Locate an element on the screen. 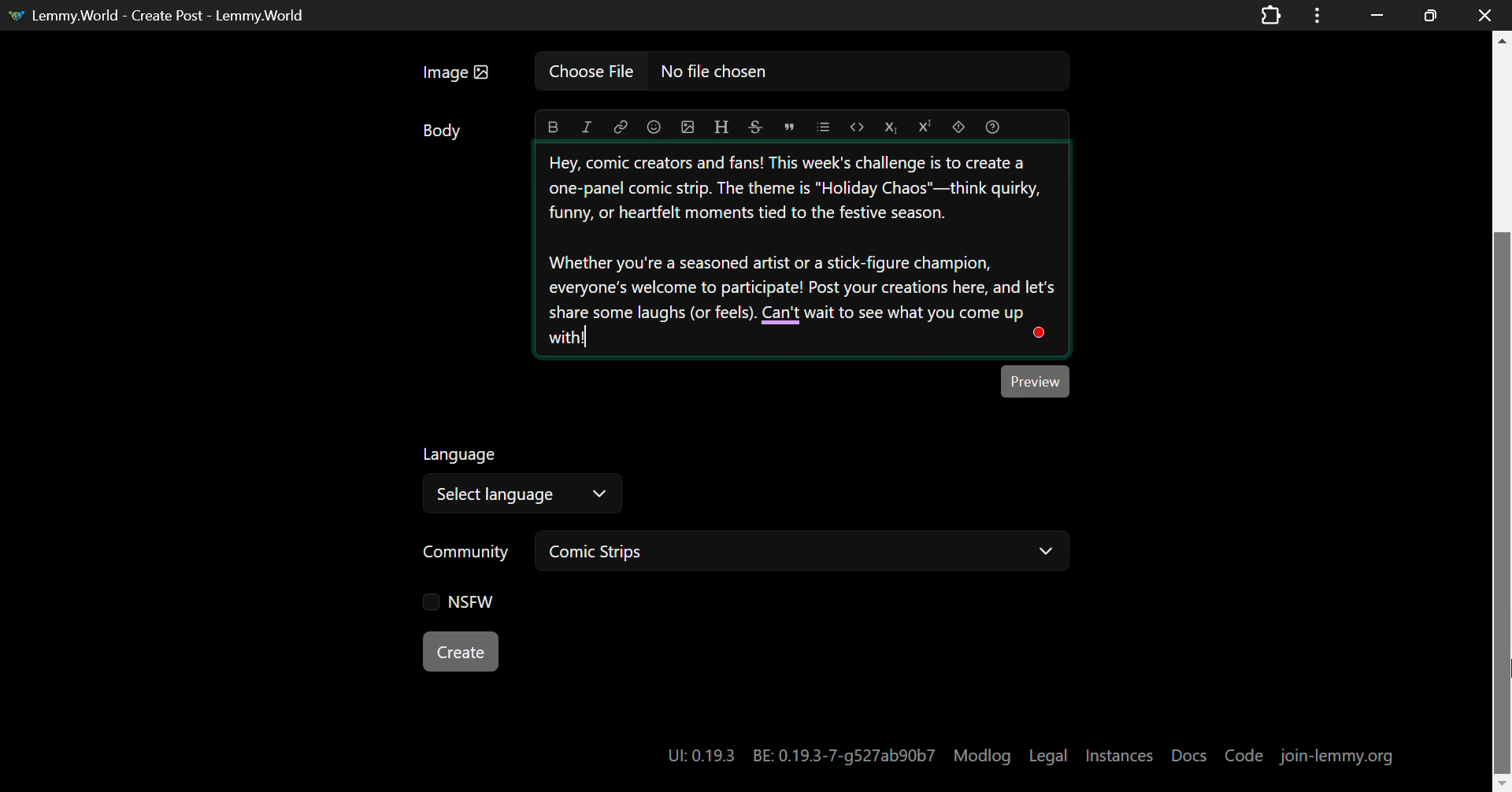  Vertical Scroll Bar is located at coordinates (1503, 418).